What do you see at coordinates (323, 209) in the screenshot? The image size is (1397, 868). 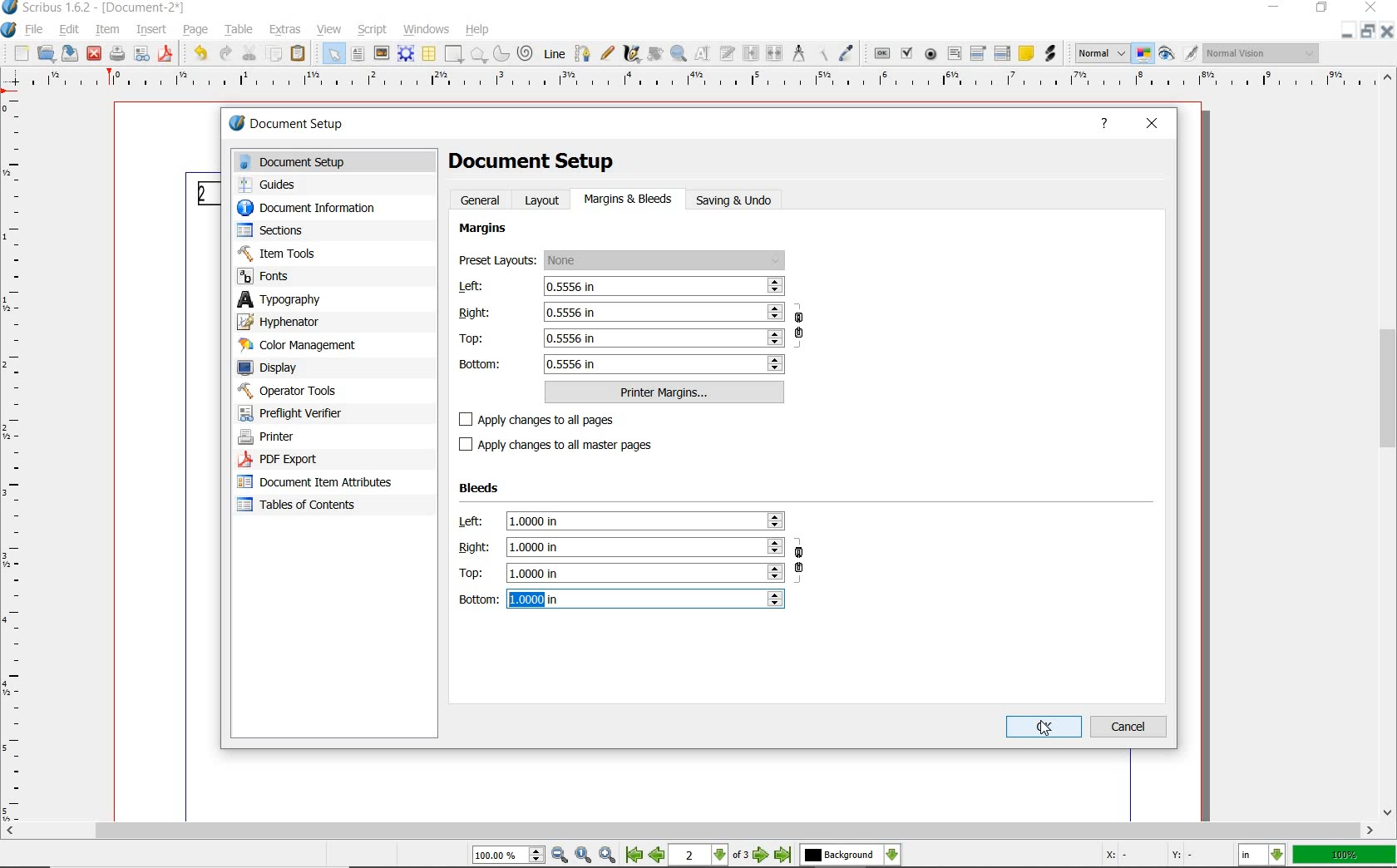 I see `document information` at bounding box center [323, 209].